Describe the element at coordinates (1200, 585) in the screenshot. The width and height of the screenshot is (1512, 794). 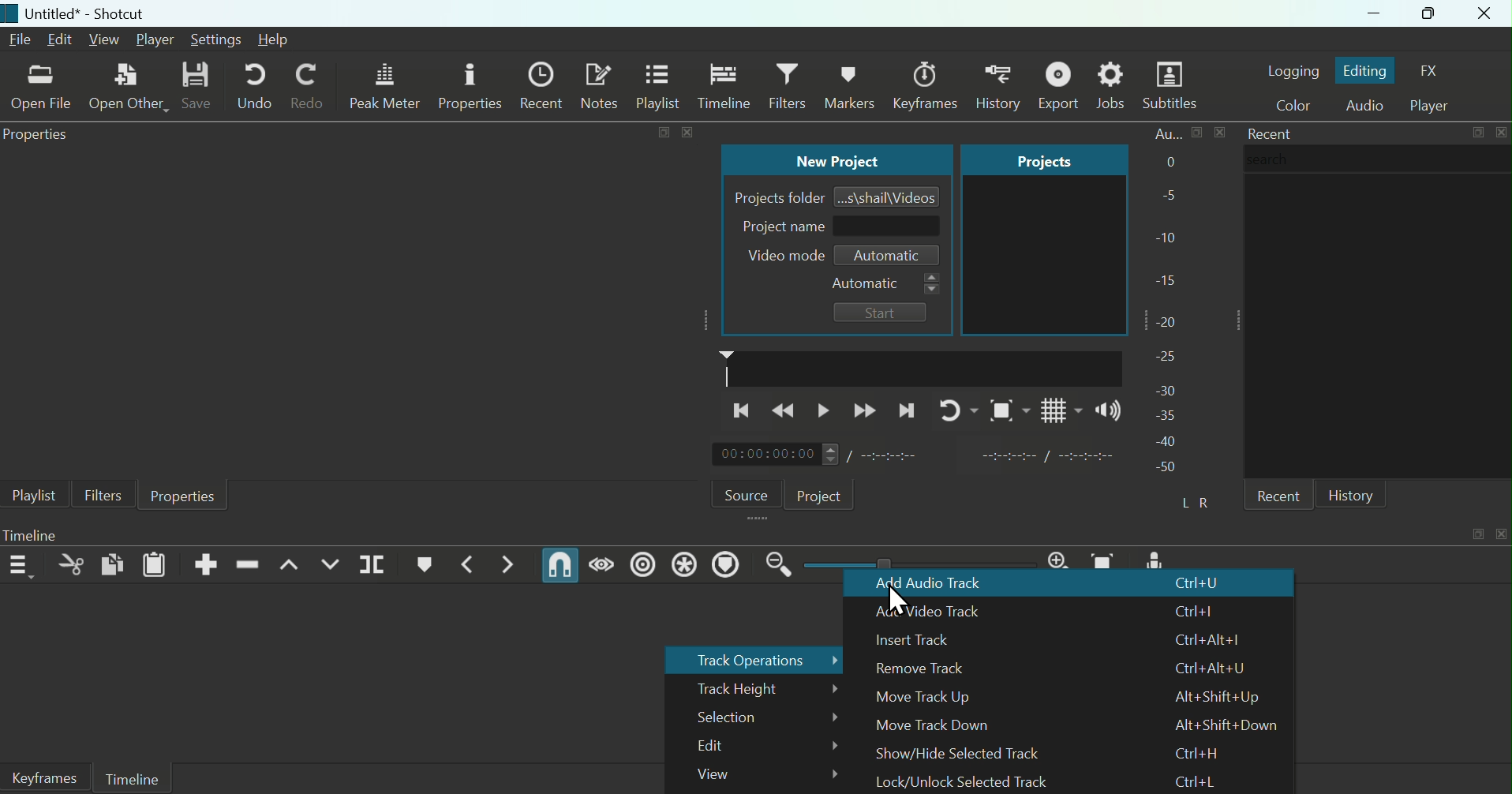
I see `Ctrl+U` at that location.